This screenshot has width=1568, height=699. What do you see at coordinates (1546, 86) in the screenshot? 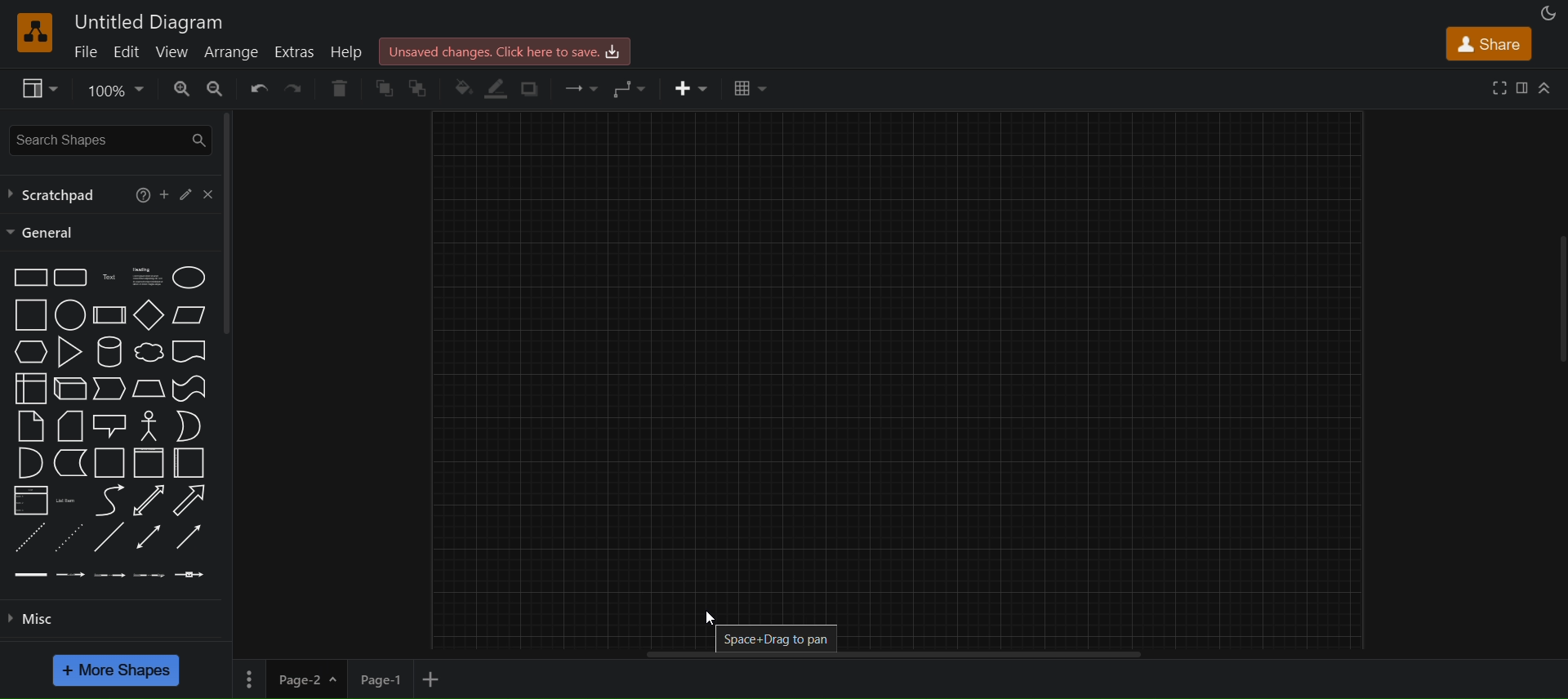
I see `collapse/expand` at bounding box center [1546, 86].